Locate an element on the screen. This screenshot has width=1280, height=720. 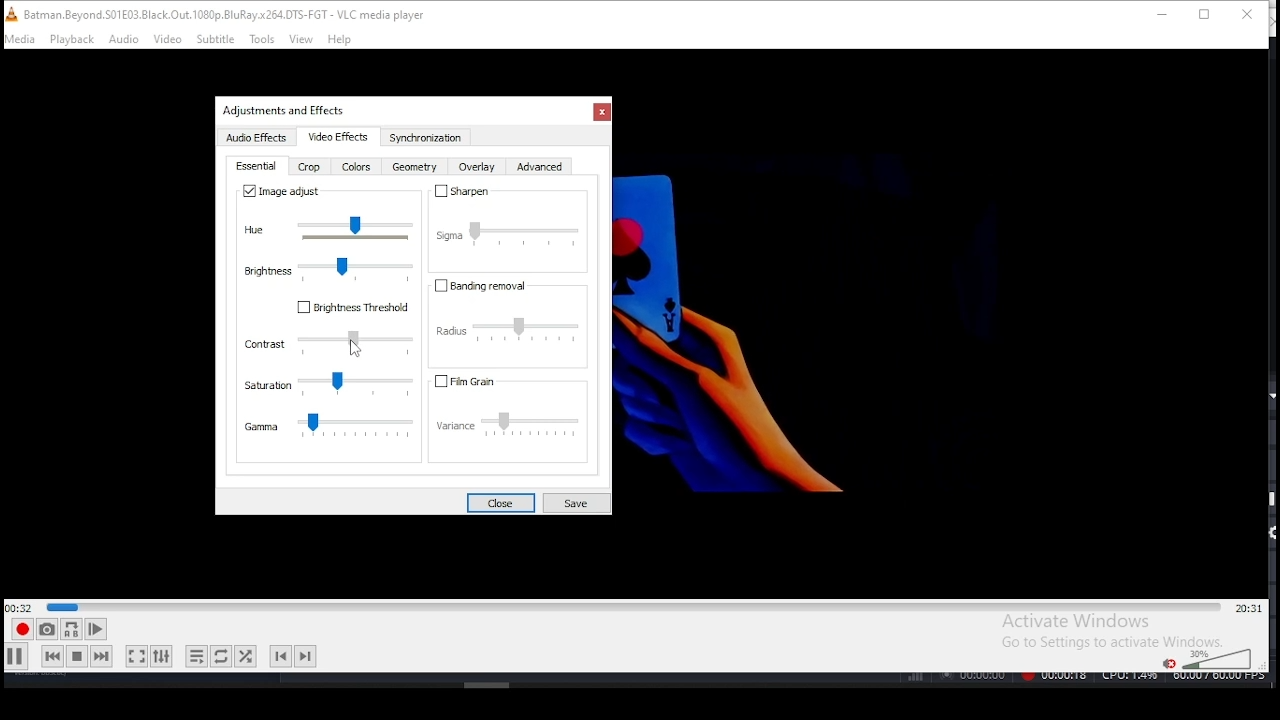
view is located at coordinates (302, 39).